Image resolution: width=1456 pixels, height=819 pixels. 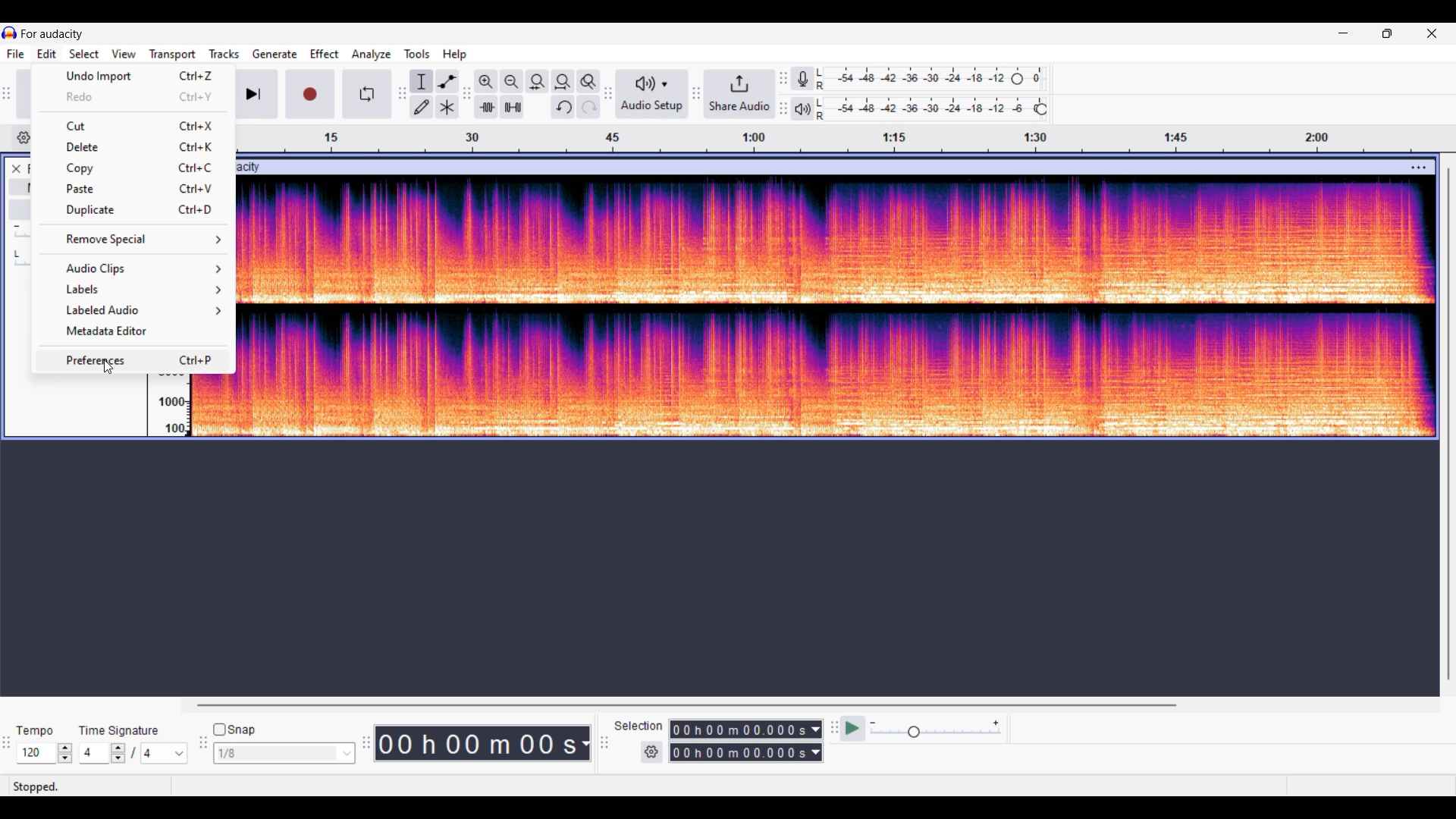 I want to click on Selection duration, so click(x=739, y=741).